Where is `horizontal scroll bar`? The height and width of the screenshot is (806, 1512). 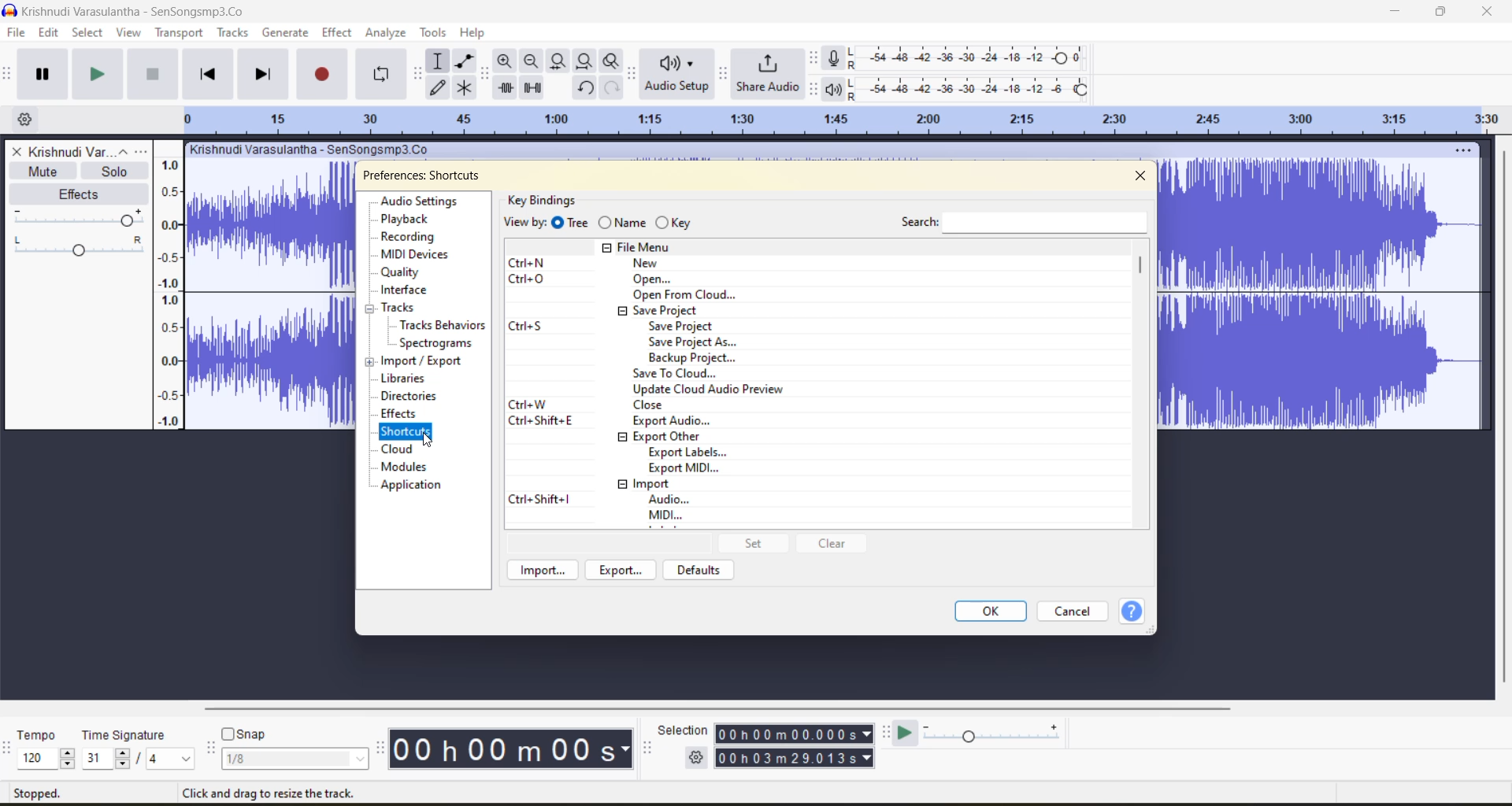
horizontal scroll bar is located at coordinates (728, 704).